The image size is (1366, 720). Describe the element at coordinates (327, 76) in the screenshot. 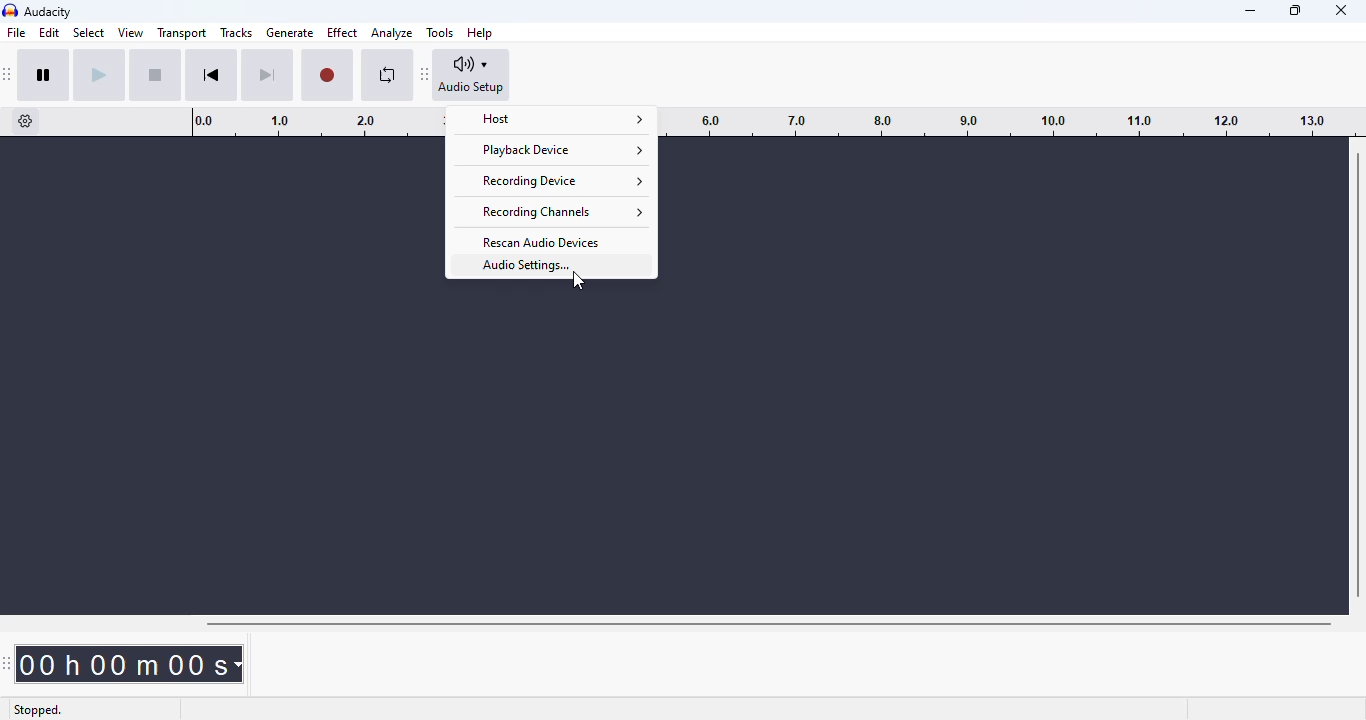

I see `record` at that location.